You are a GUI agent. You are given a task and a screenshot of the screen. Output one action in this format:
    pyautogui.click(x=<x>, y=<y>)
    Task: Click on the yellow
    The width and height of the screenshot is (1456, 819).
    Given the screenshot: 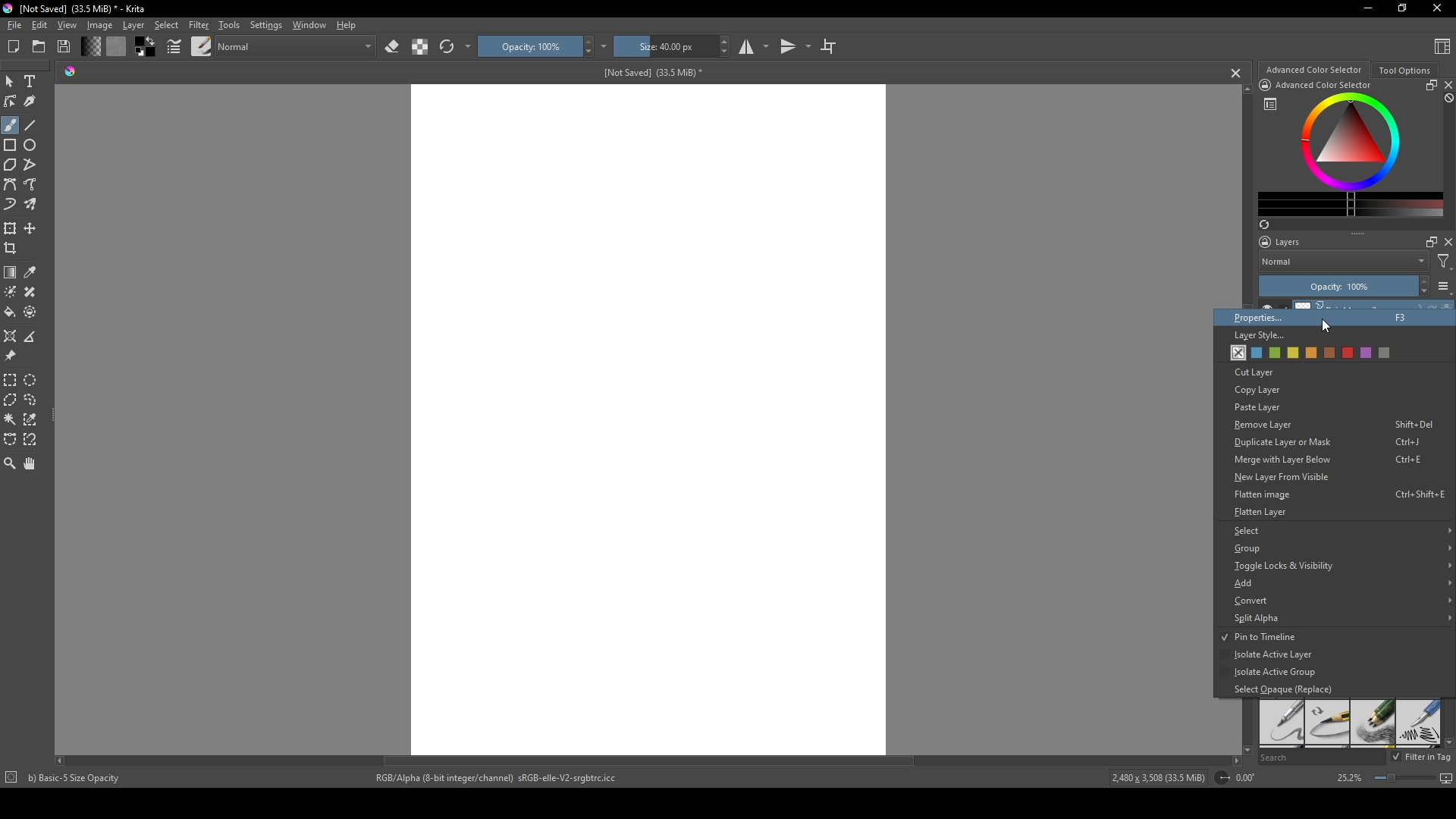 What is the action you would take?
    pyautogui.click(x=1310, y=353)
    